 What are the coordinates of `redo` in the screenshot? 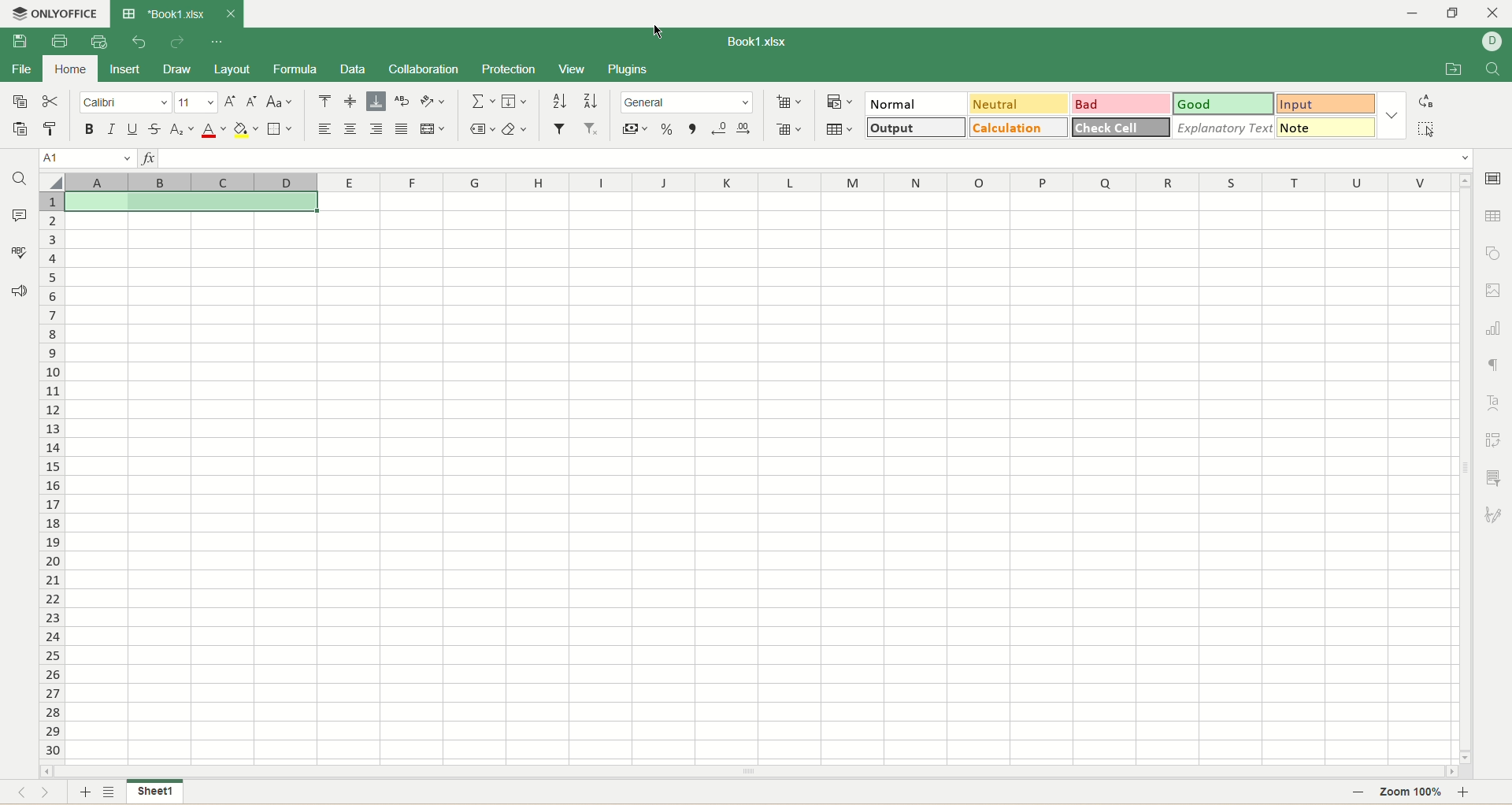 It's located at (176, 41).